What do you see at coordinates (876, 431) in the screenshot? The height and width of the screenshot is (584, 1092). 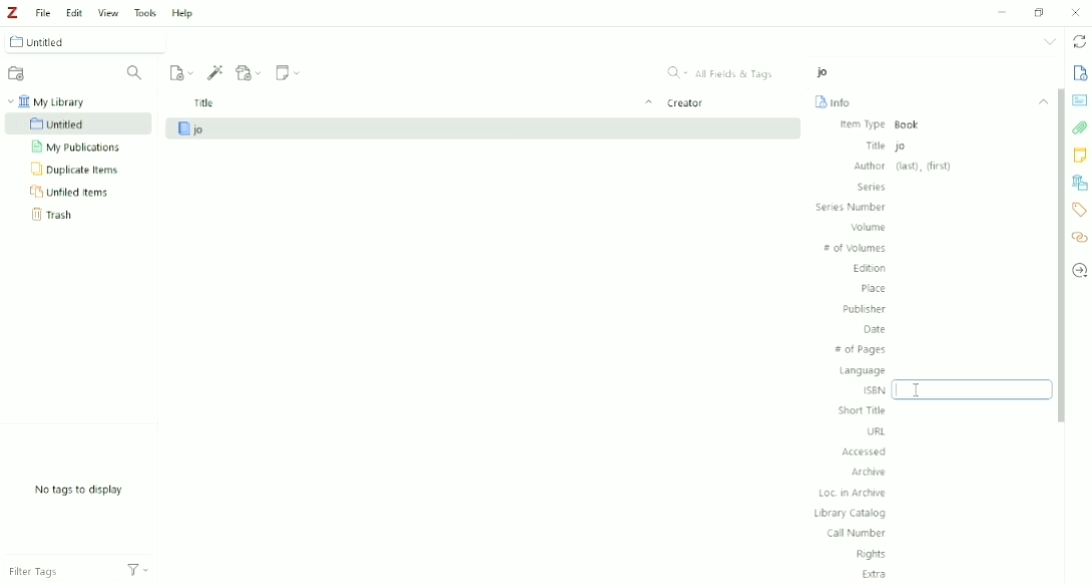 I see `URL` at bounding box center [876, 431].